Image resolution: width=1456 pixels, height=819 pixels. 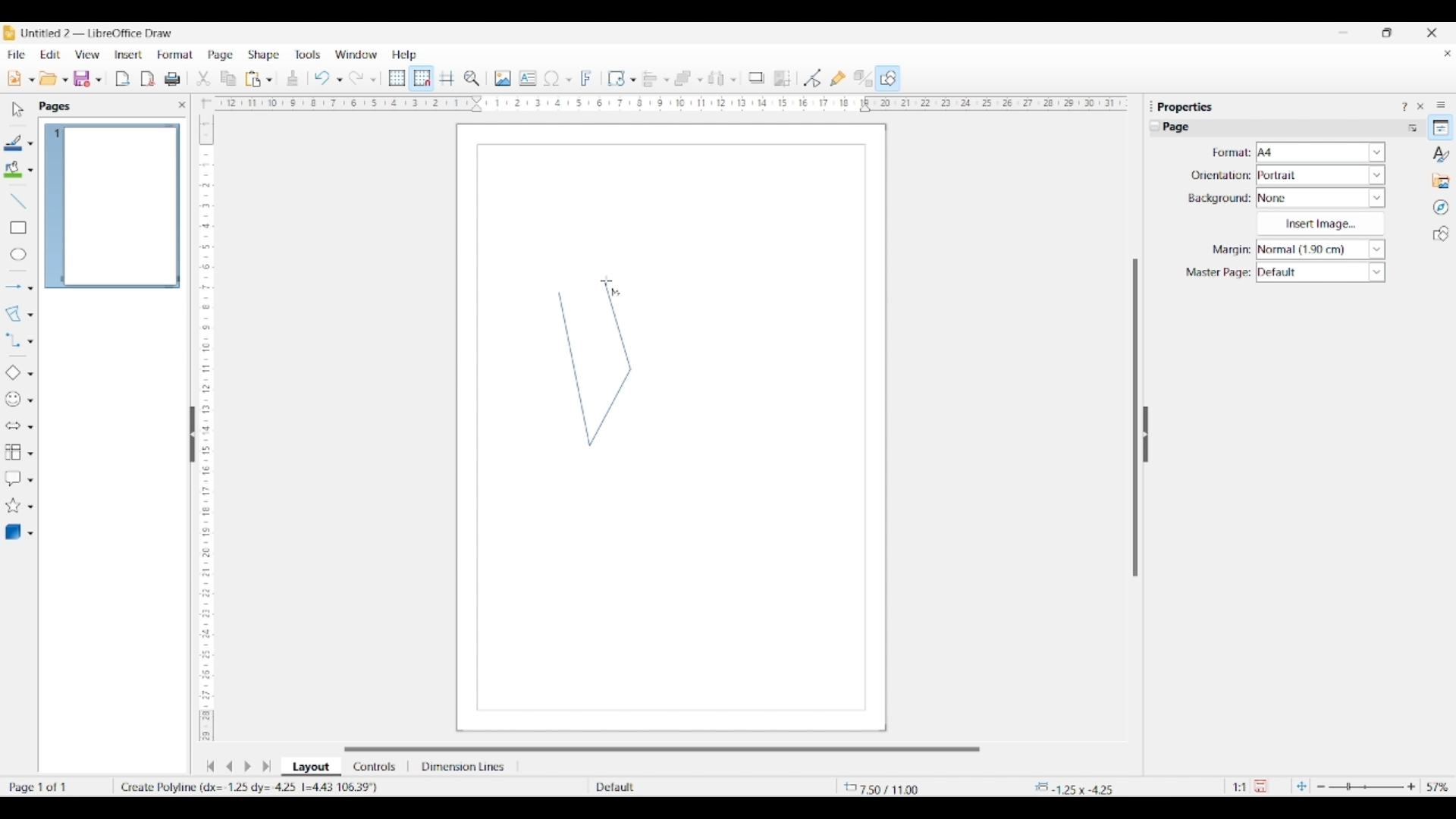 What do you see at coordinates (12, 373) in the screenshot?
I see `Selected basic shape` at bounding box center [12, 373].